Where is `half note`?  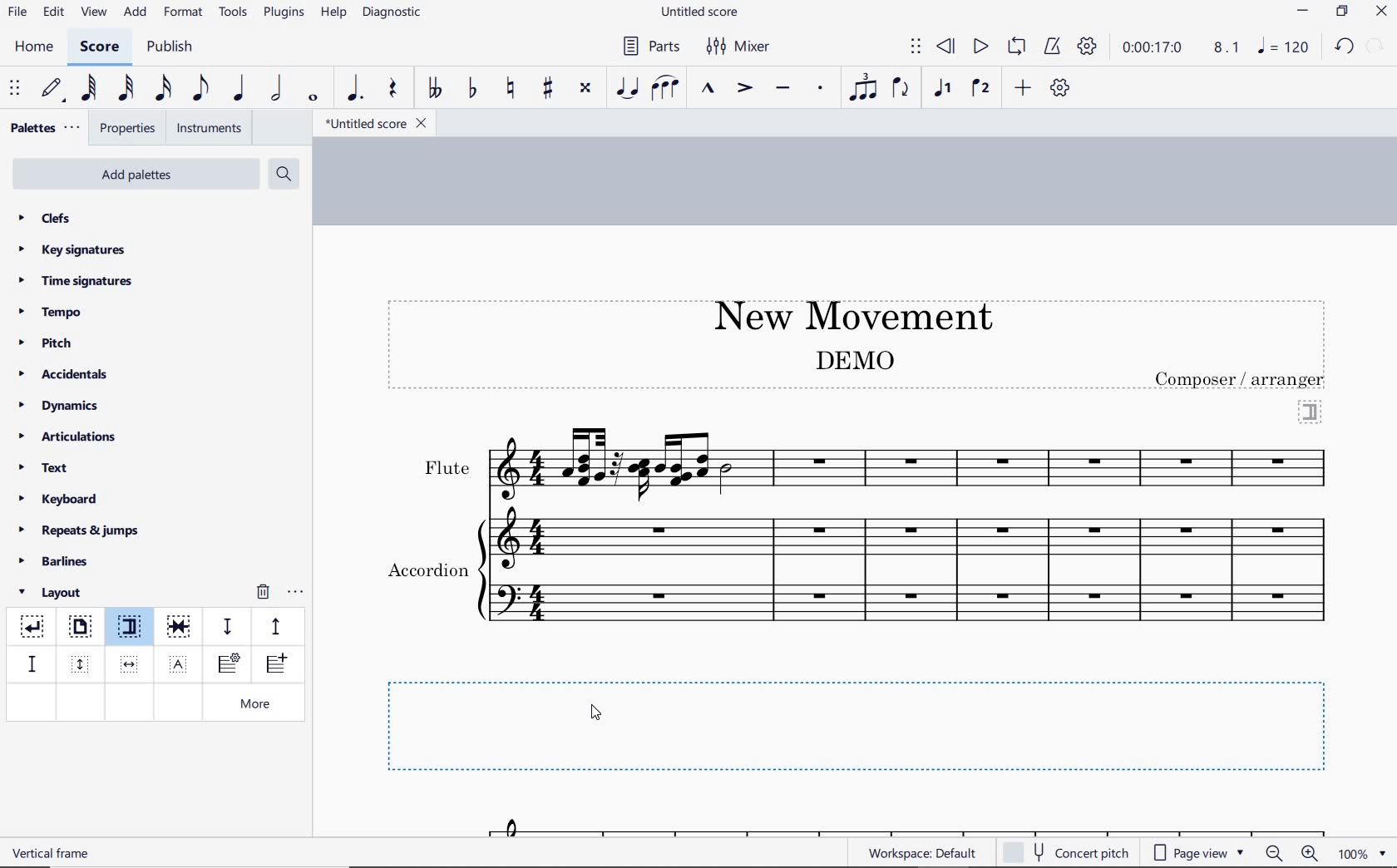 half note is located at coordinates (276, 89).